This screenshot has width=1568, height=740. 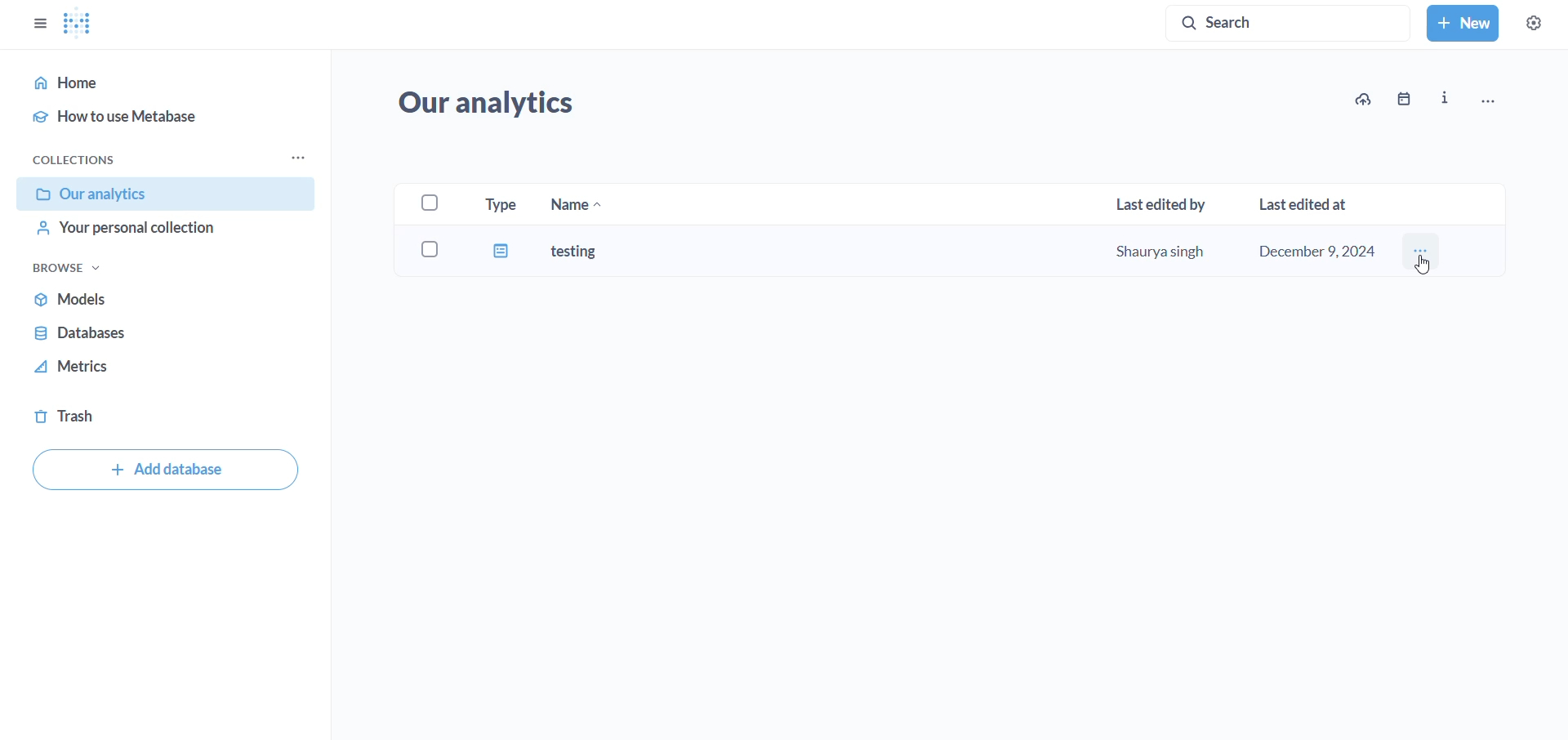 What do you see at coordinates (158, 339) in the screenshot?
I see `databases` at bounding box center [158, 339].